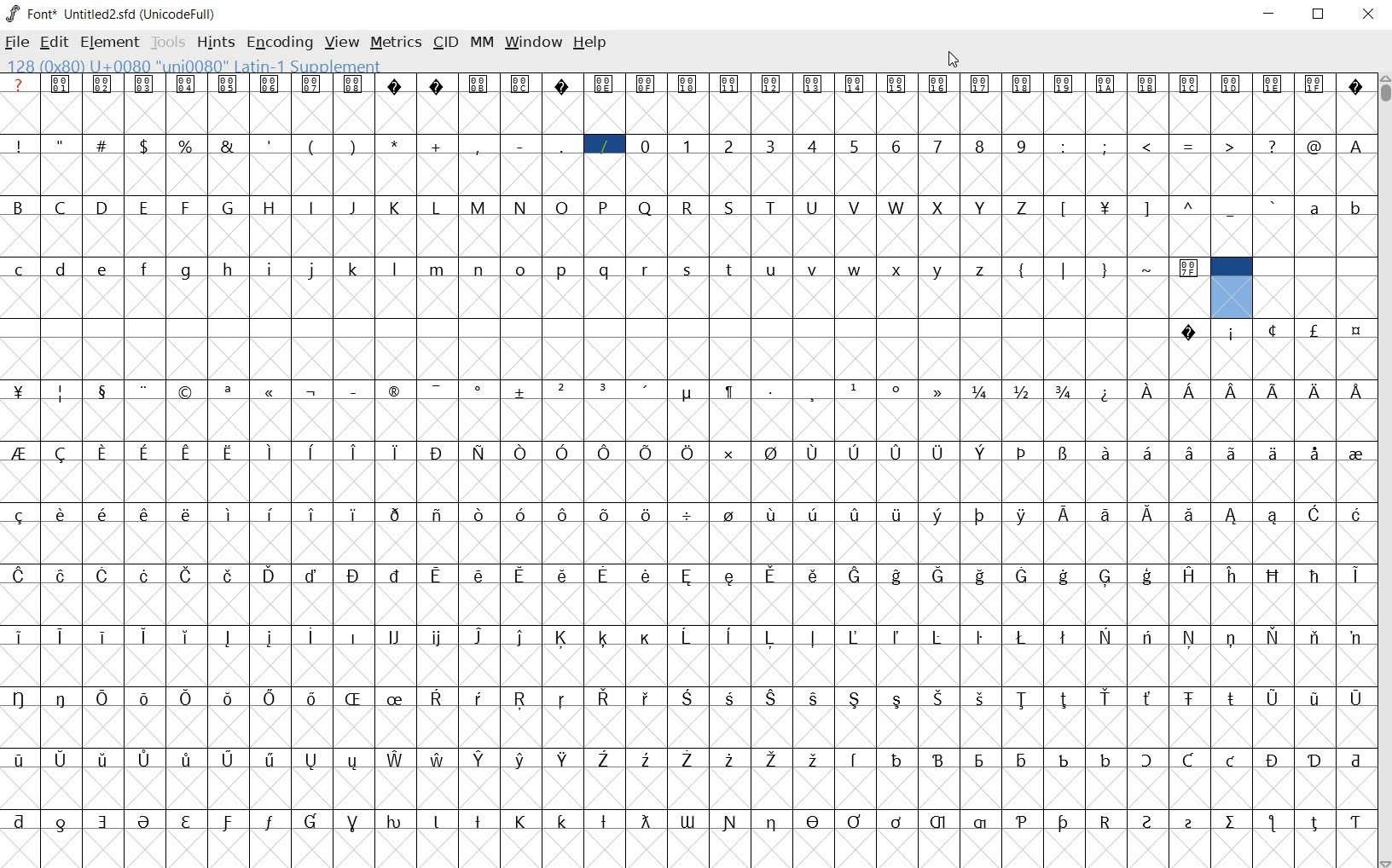 The image size is (1392, 868). Describe the element at coordinates (521, 391) in the screenshot. I see `Symbol` at that location.